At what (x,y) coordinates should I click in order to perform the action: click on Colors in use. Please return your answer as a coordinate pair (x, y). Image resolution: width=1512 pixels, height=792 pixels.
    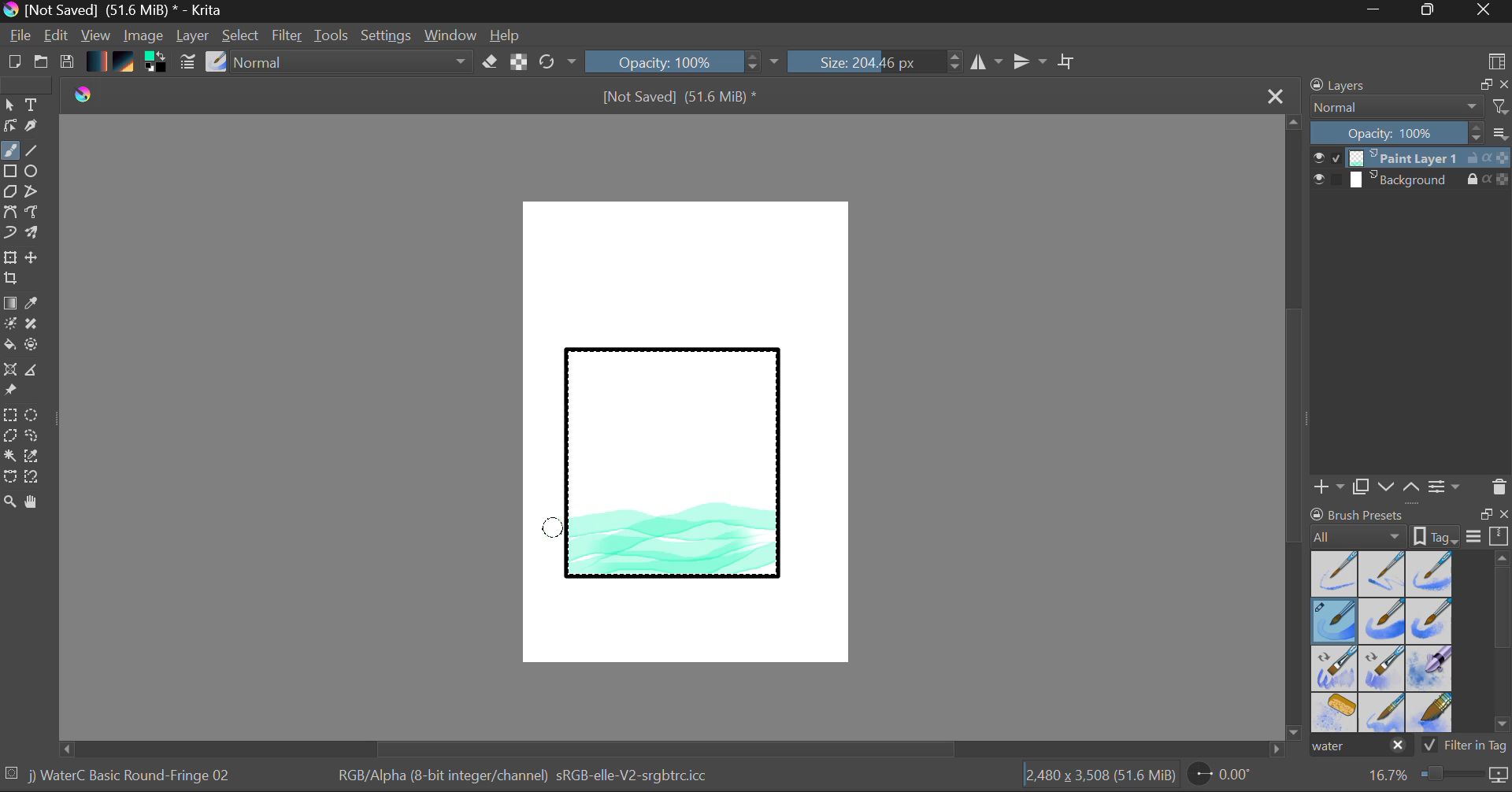
    Looking at the image, I should click on (157, 63).